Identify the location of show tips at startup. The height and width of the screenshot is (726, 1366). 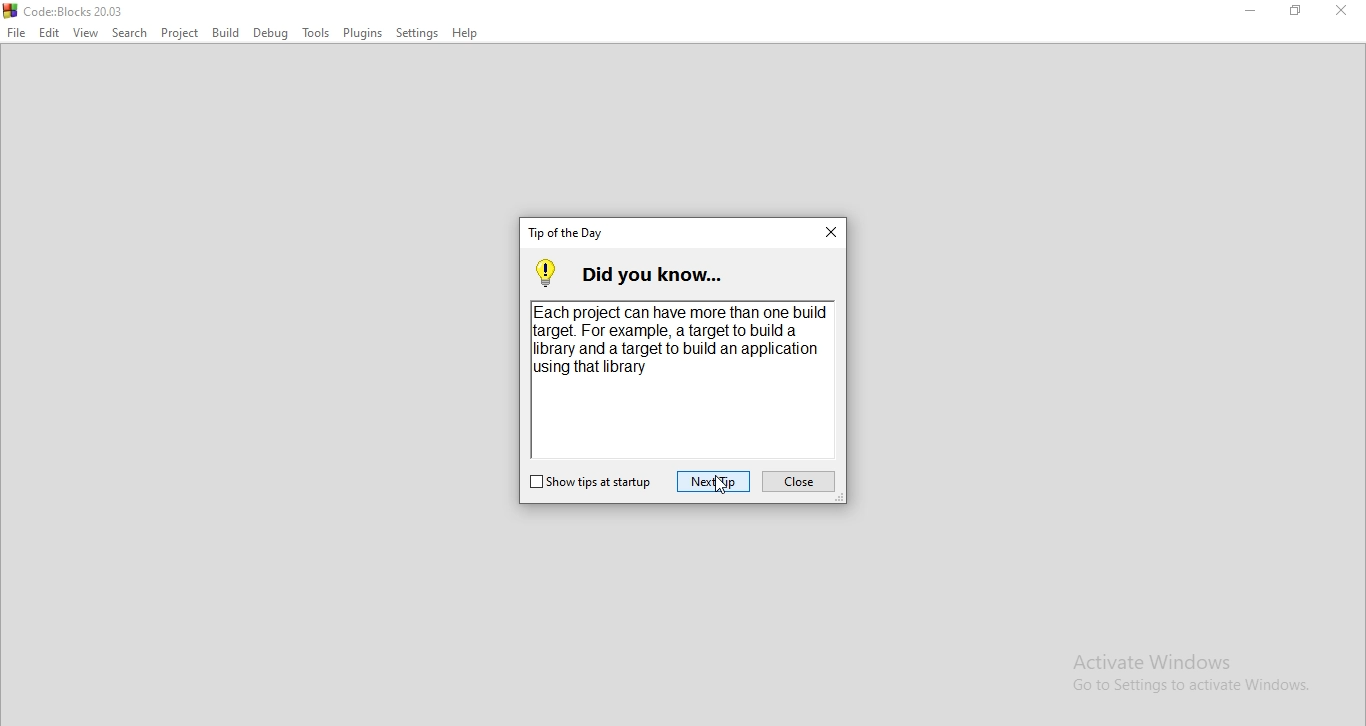
(589, 483).